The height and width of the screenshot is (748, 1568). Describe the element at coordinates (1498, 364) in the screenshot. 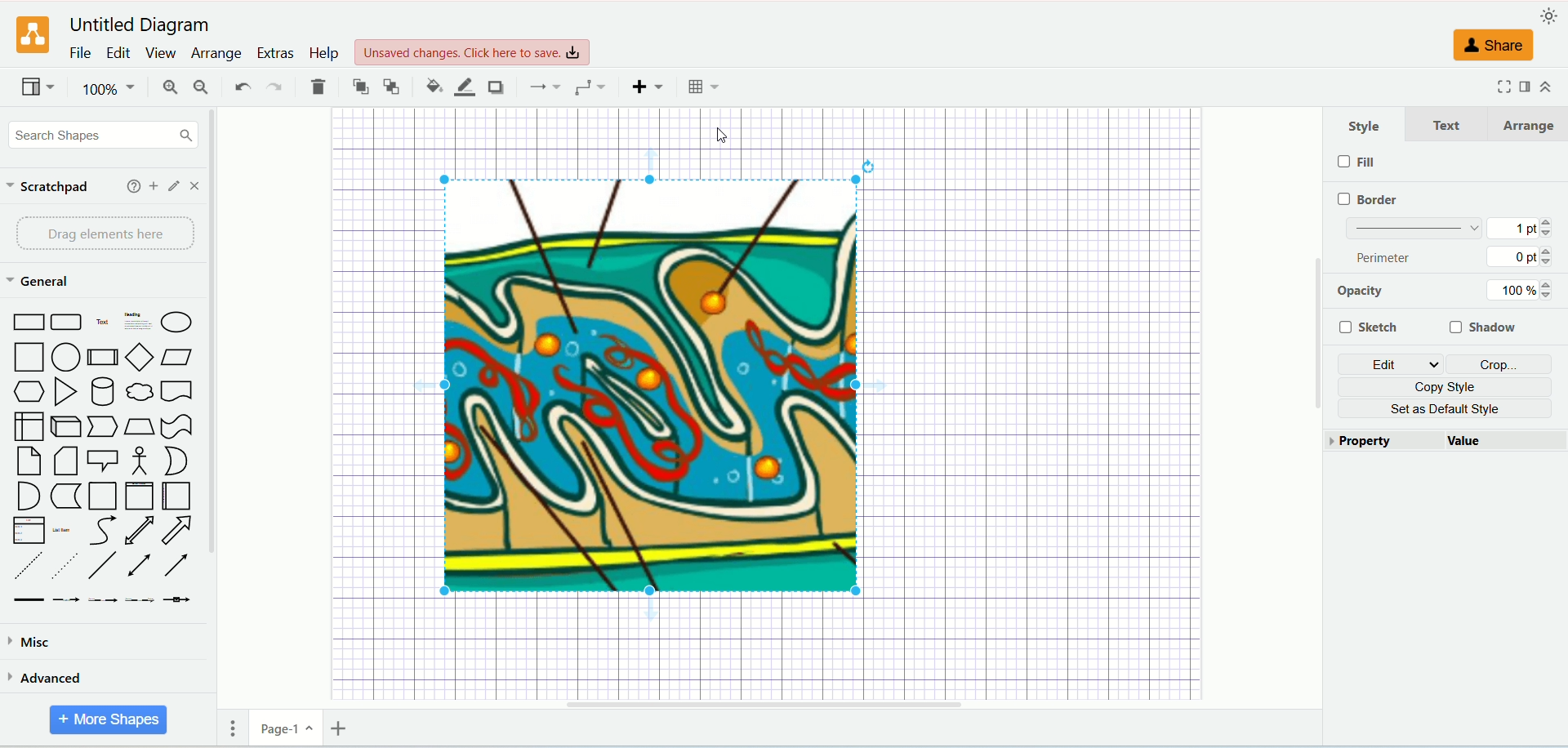

I see `crop` at that location.